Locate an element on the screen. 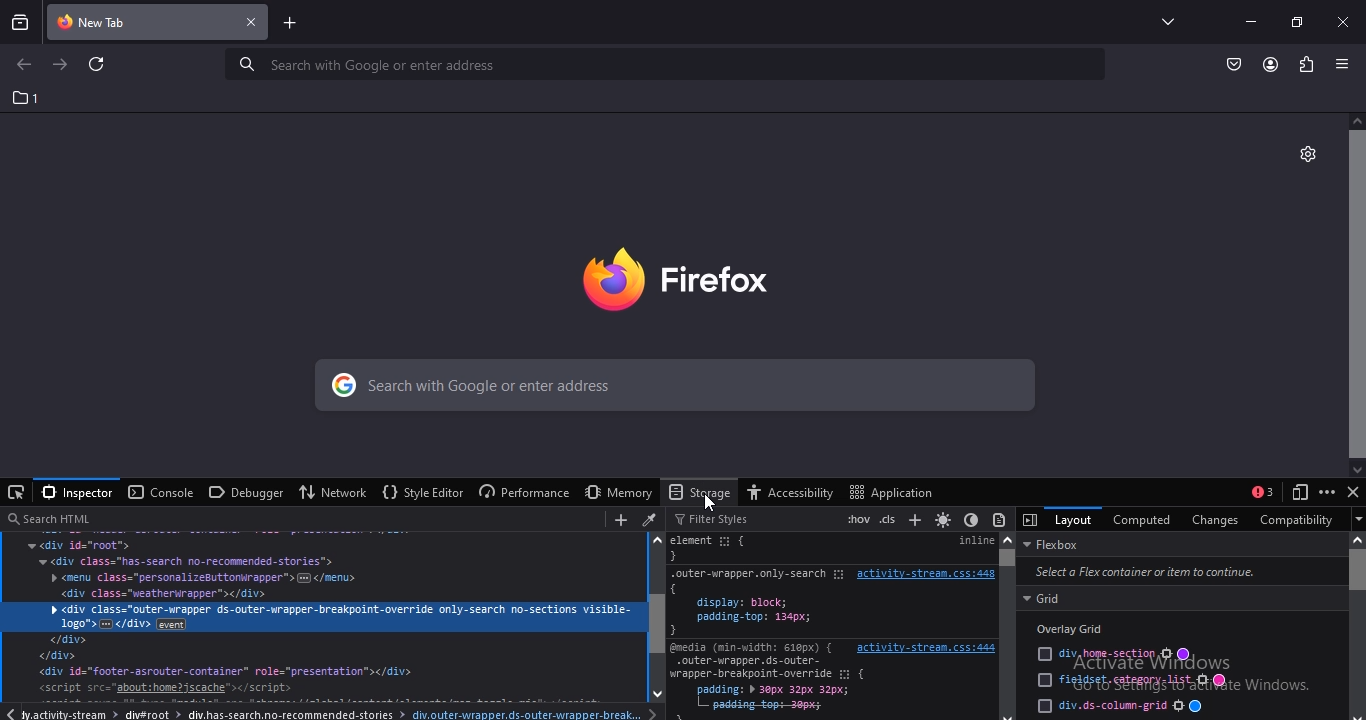 The height and width of the screenshot is (720, 1366). performance is located at coordinates (521, 493).